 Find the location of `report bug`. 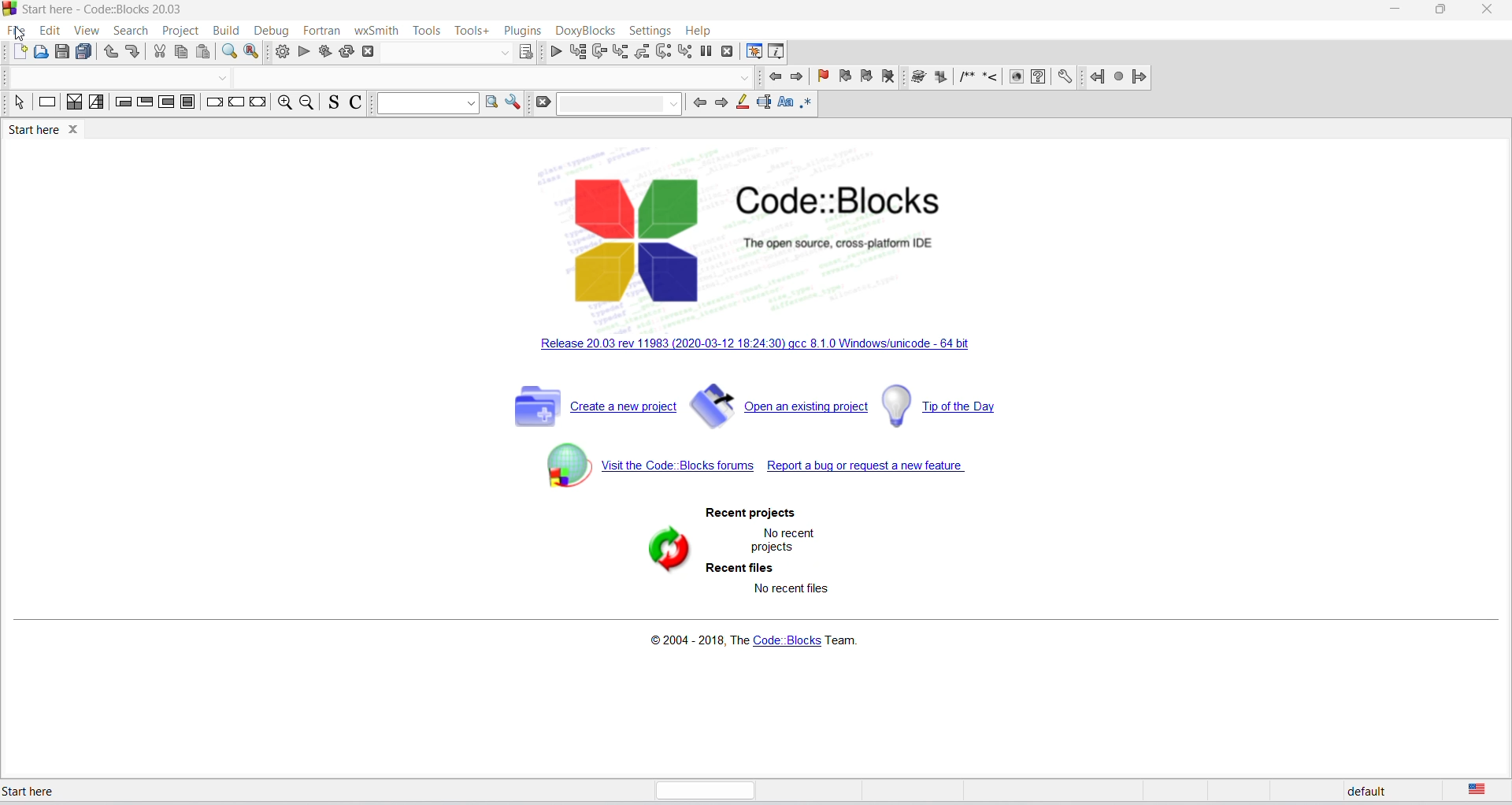

report bug is located at coordinates (890, 467).